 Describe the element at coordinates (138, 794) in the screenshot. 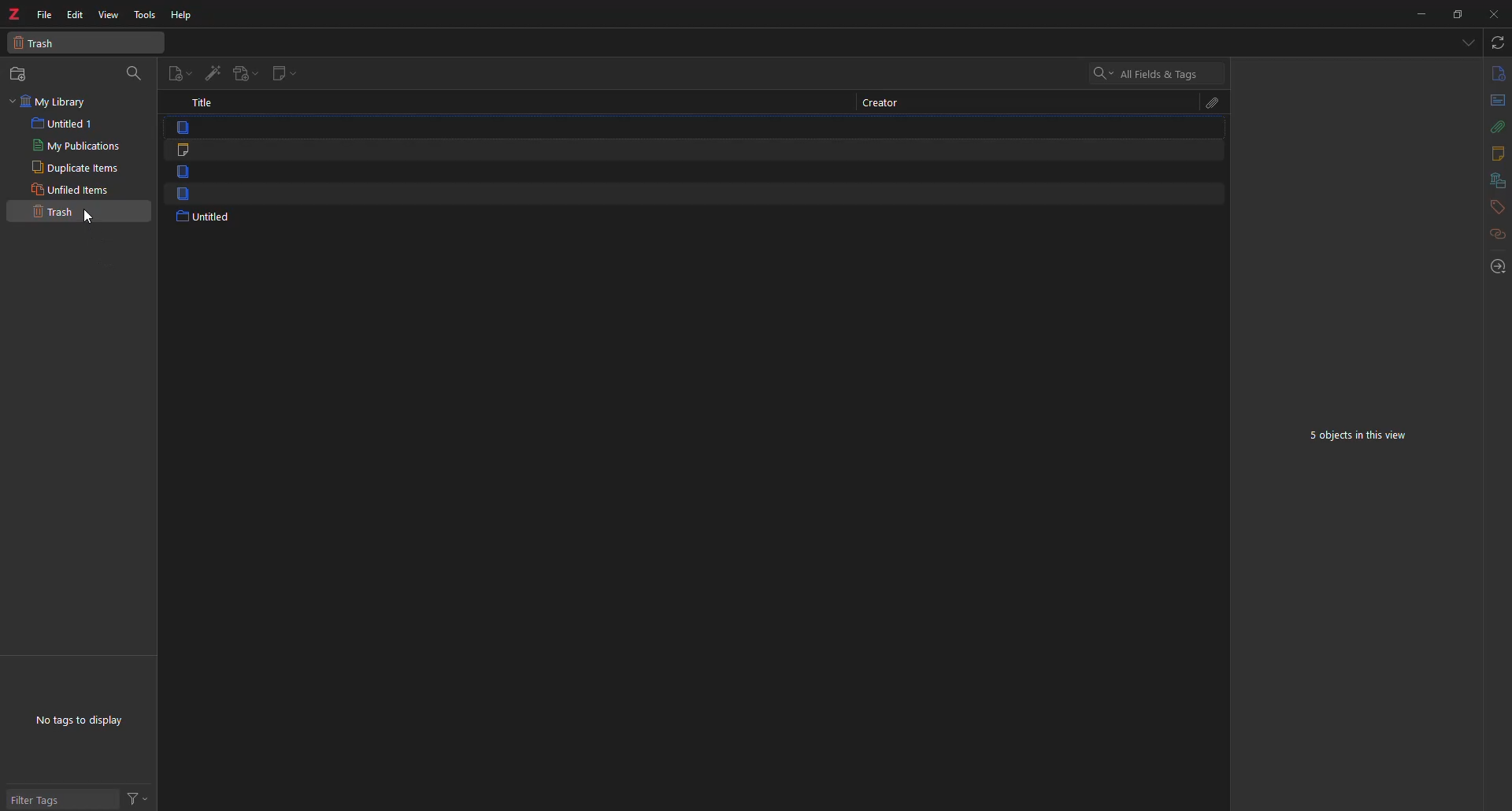

I see `actions` at that location.